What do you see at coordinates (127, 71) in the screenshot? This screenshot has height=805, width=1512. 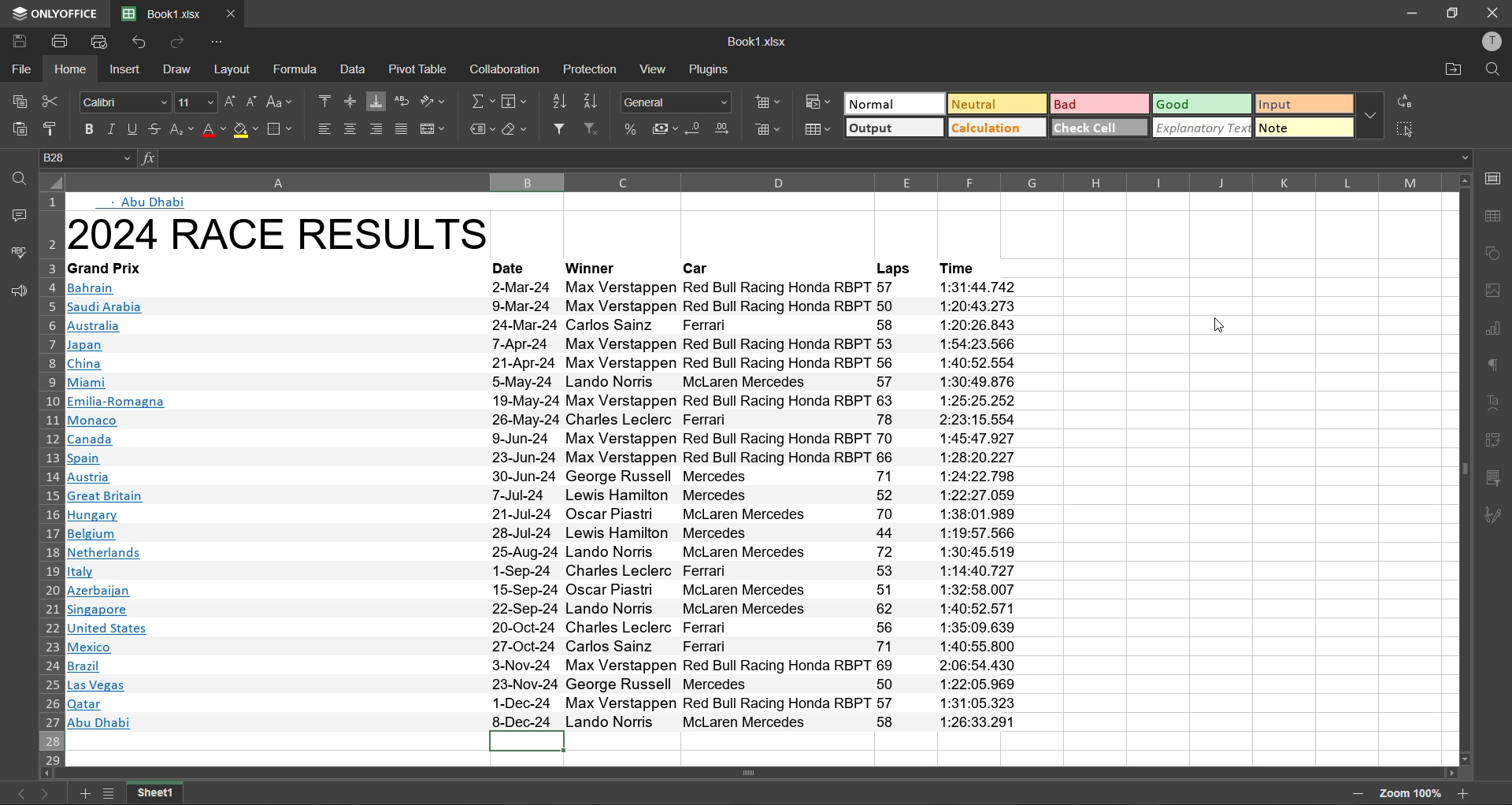 I see `insert` at bounding box center [127, 71].